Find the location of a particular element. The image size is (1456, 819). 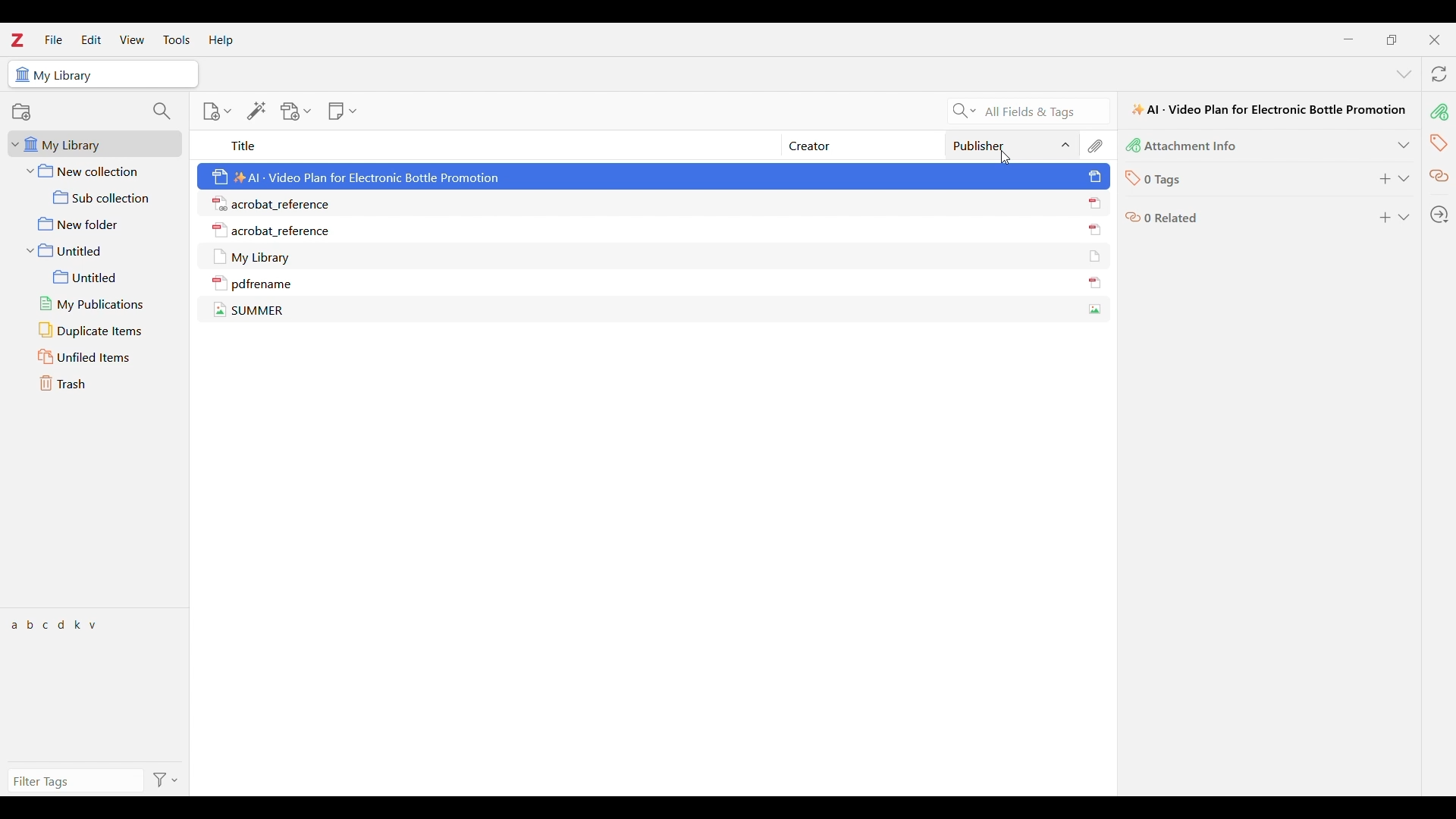

Attachment Info is located at coordinates (1194, 147).